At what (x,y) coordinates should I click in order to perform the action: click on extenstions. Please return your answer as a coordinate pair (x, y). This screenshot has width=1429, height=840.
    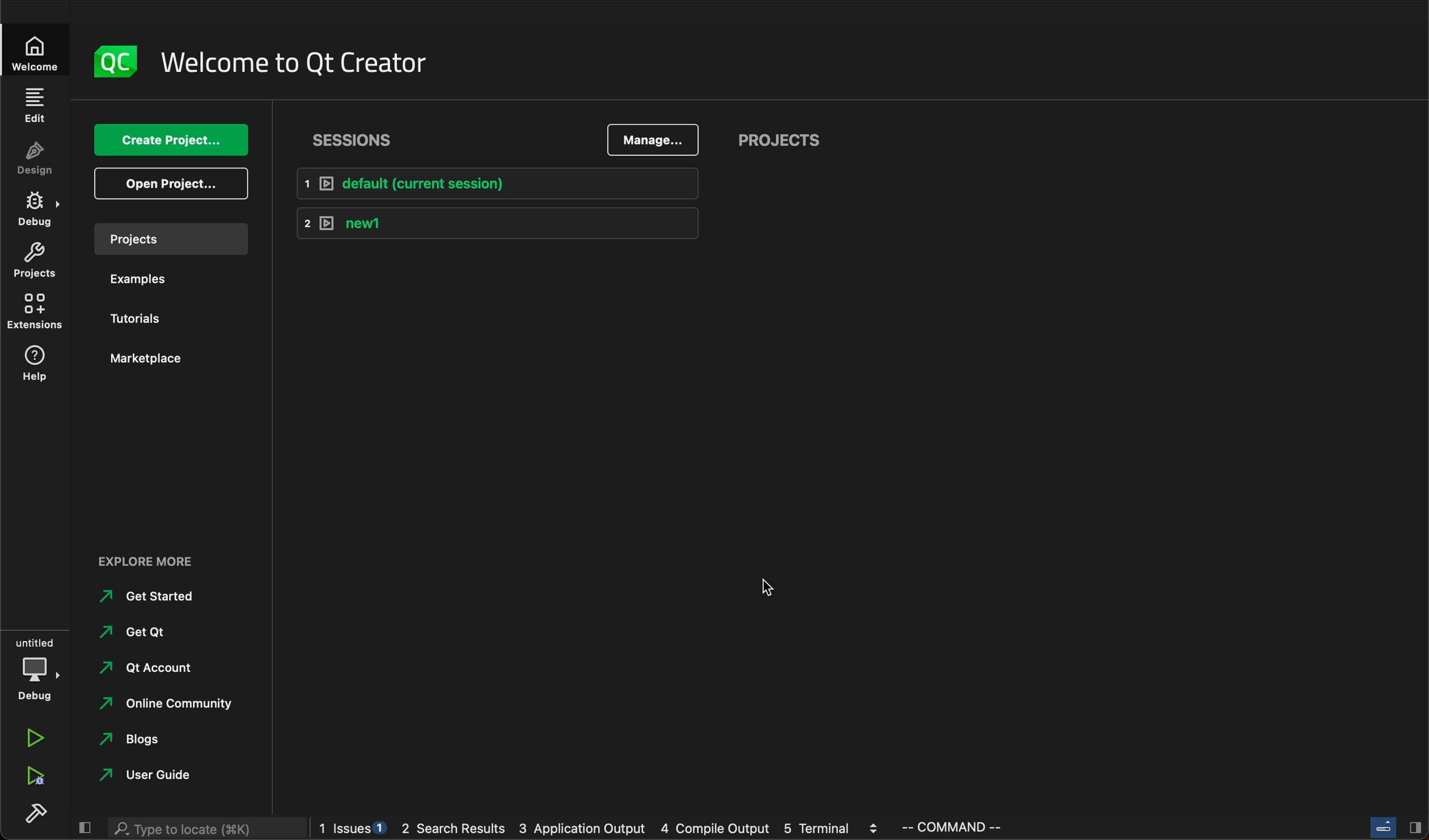
    Looking at the image, I should click on (33, 311).